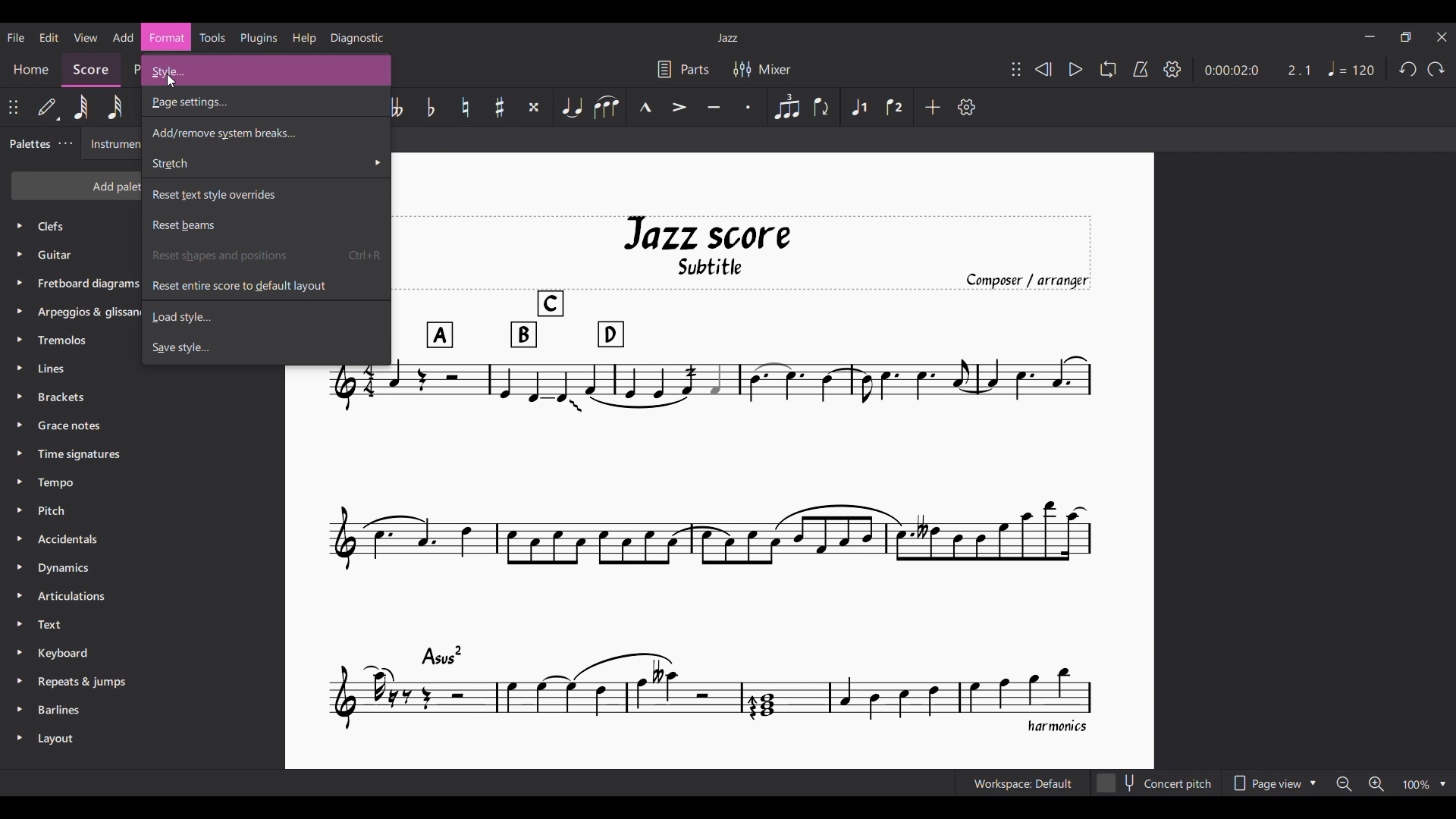 This screenshot has height=819, width=1456. What do you see at coordinates (88, 284) in the screenshot?
I see `Fretboard` at bounding box center [88, 284].